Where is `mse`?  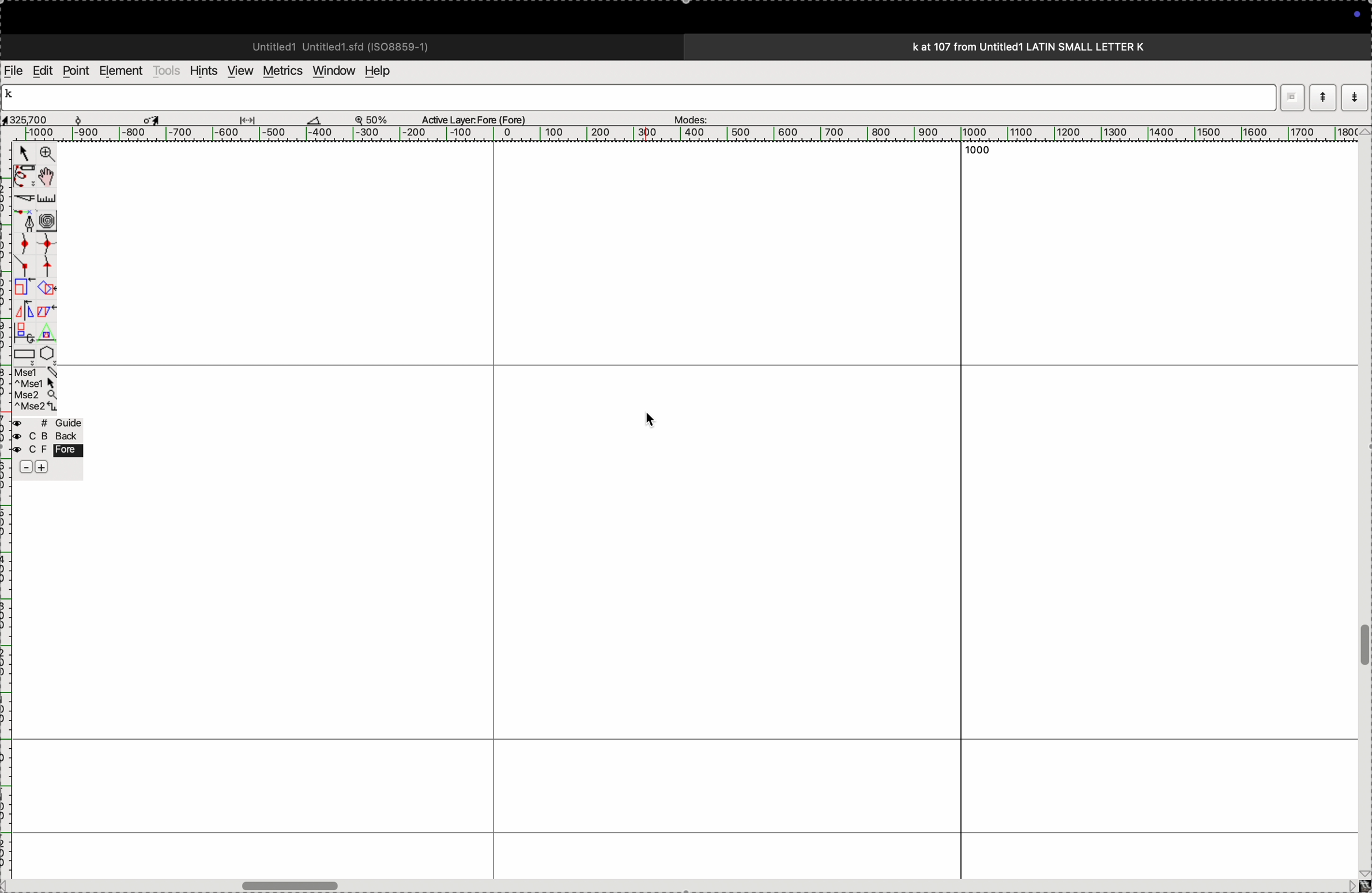
mse is located at coordinates (36, 390).